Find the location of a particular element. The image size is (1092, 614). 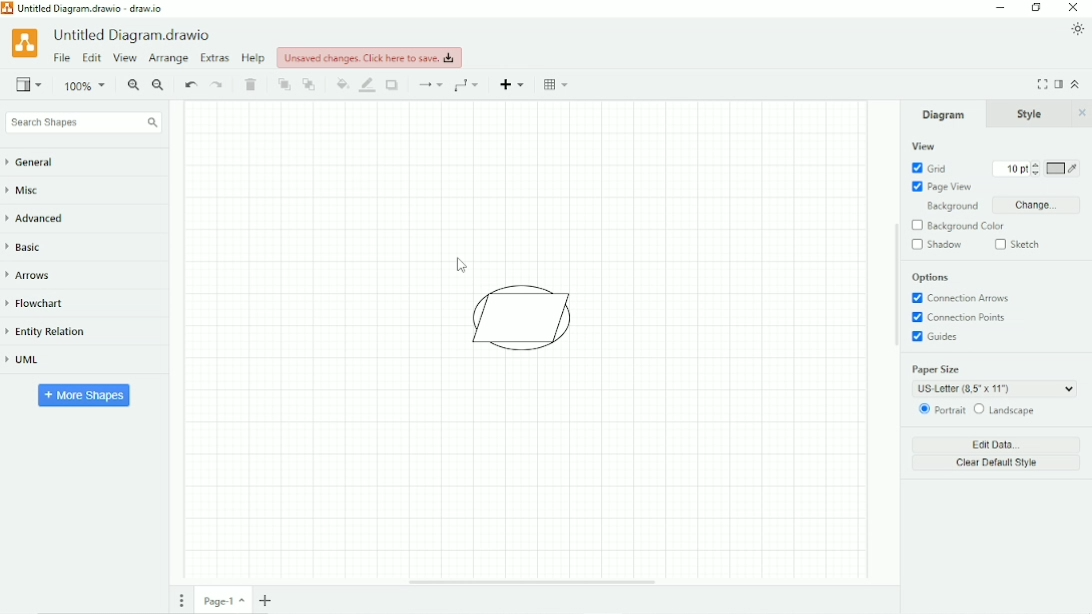

Background color is located at coordinates (967, 226).